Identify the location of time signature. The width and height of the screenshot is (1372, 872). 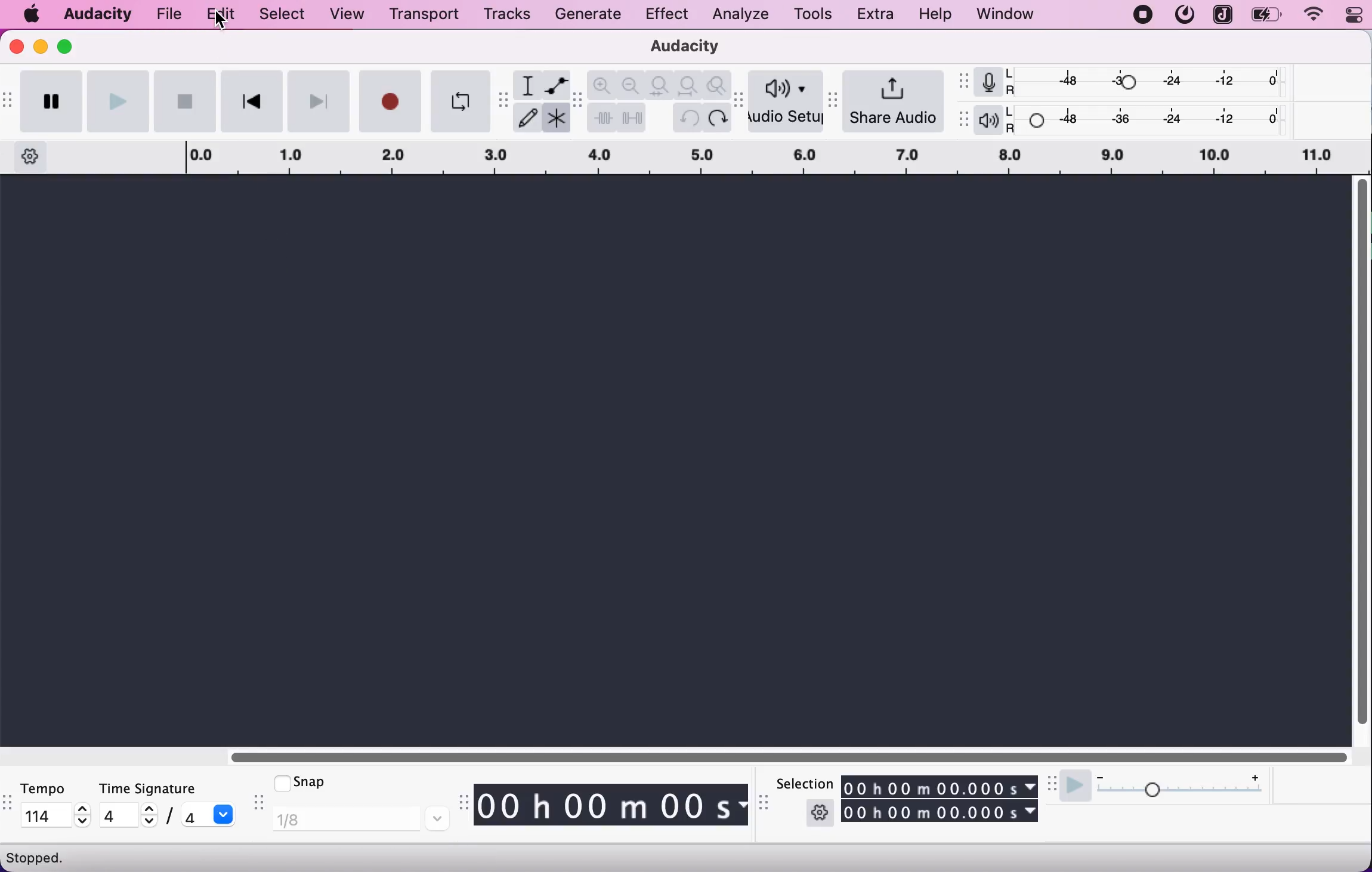
(169, 788).